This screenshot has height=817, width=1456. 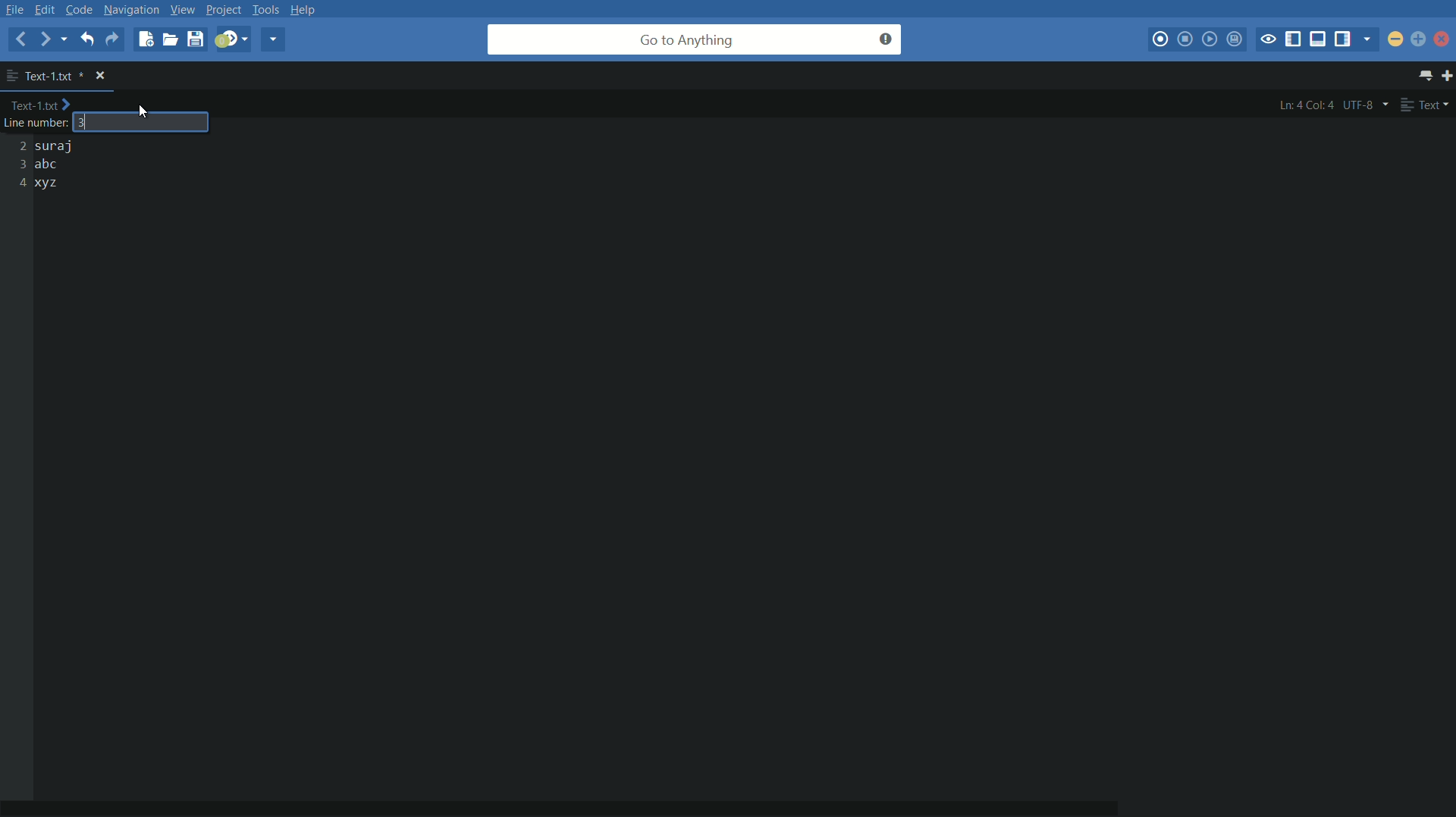 What do you see at coordinates (1185, 39) in the screenshot?
I see `stop macro` at bounding box center [1185, 39].